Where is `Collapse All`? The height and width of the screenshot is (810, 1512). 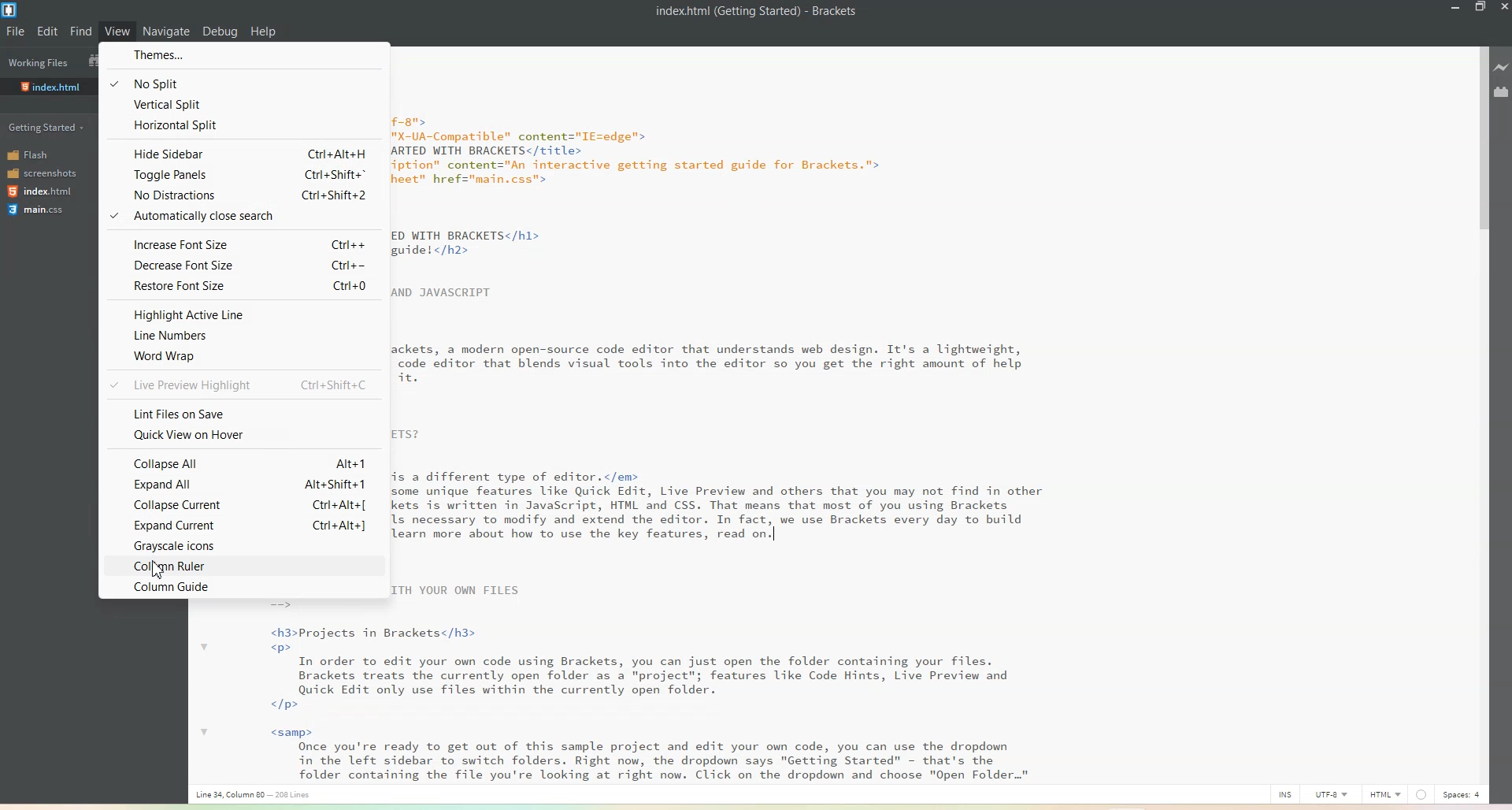
Collapse All is located at coordinates (243, 463).